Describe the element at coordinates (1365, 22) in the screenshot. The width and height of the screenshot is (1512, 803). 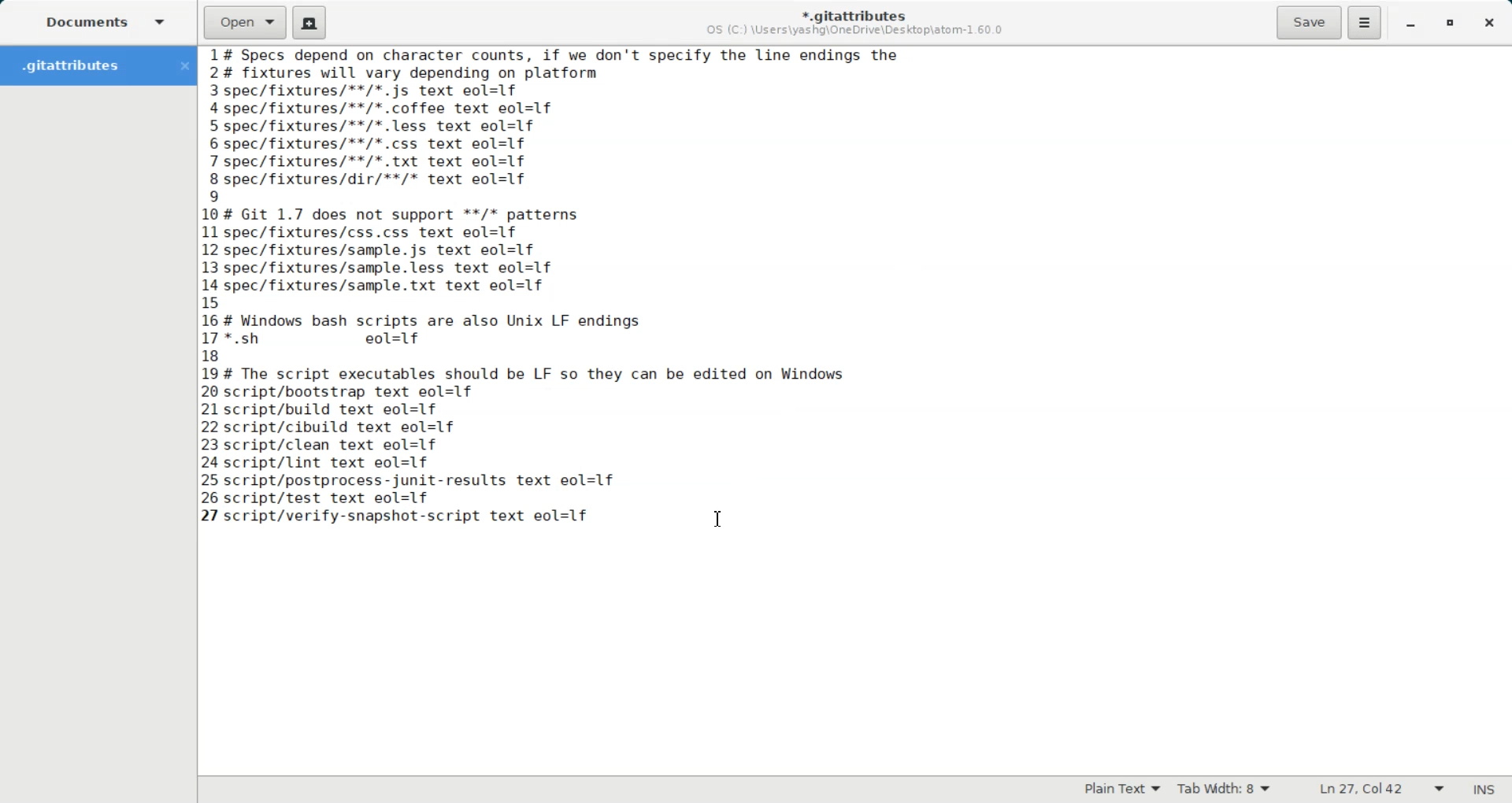
I see `Hamburger Settings` at that location.